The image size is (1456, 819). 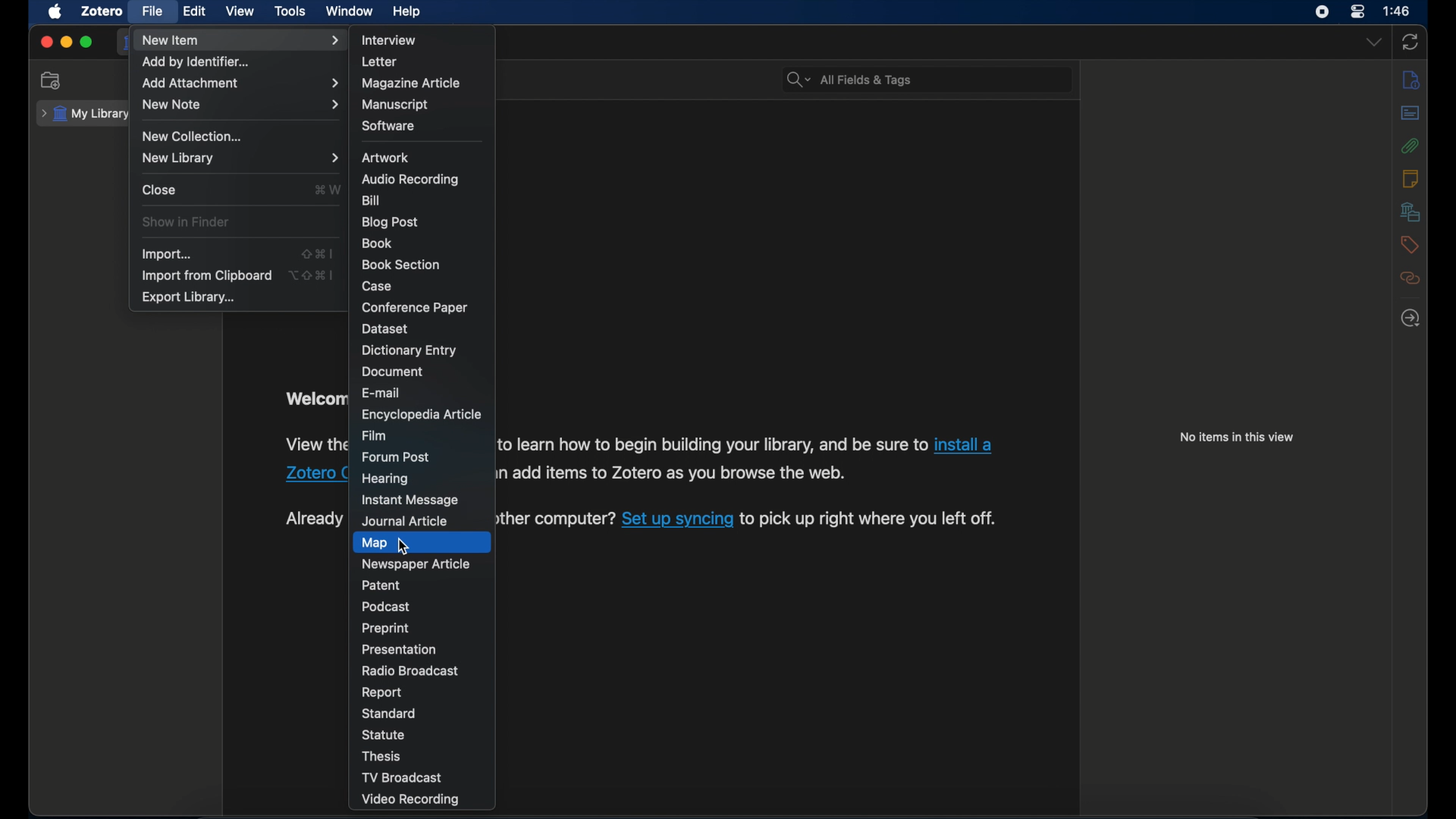 I want to click on report, so click(x=383, y=693).